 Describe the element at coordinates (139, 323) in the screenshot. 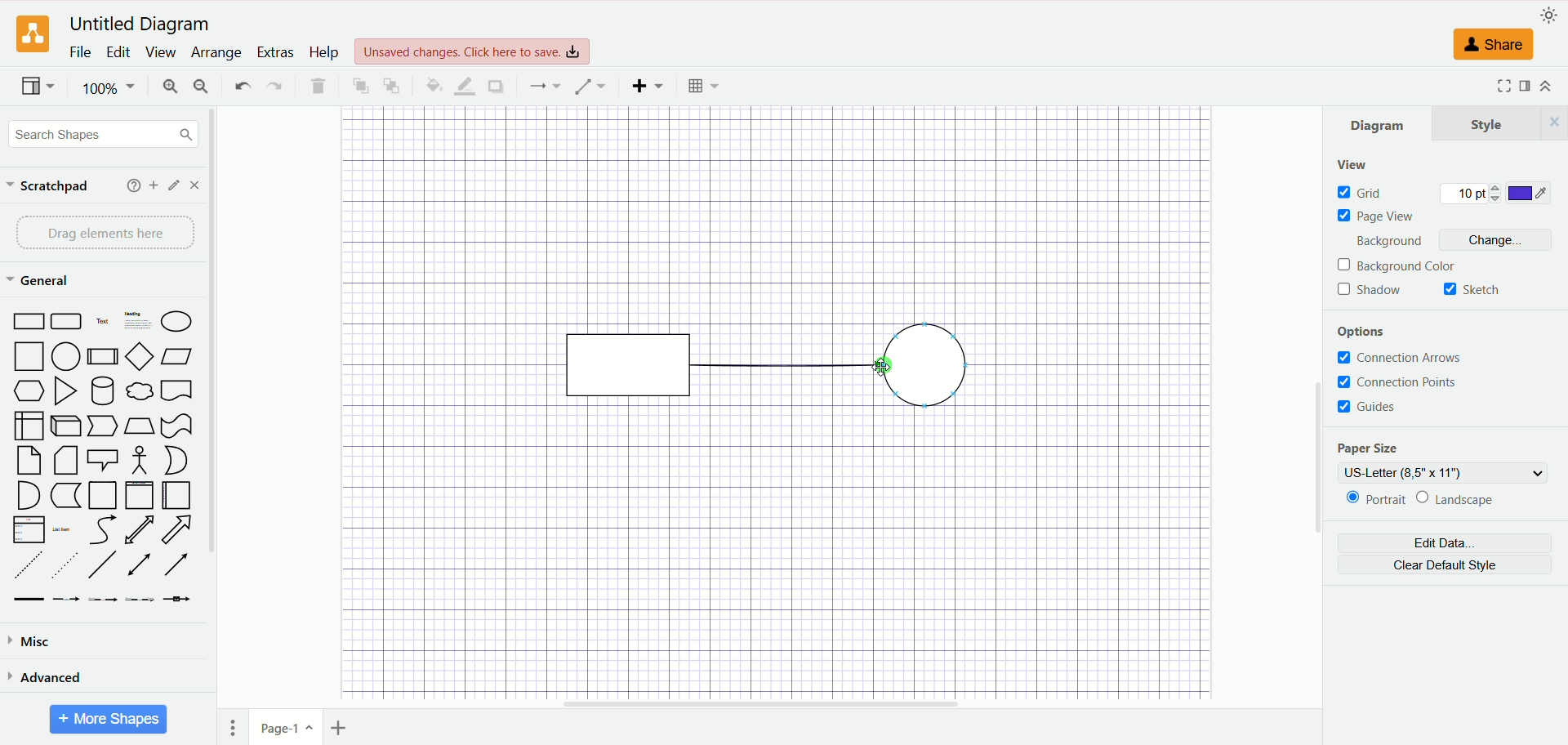

I see `Heading with Text` at that location.